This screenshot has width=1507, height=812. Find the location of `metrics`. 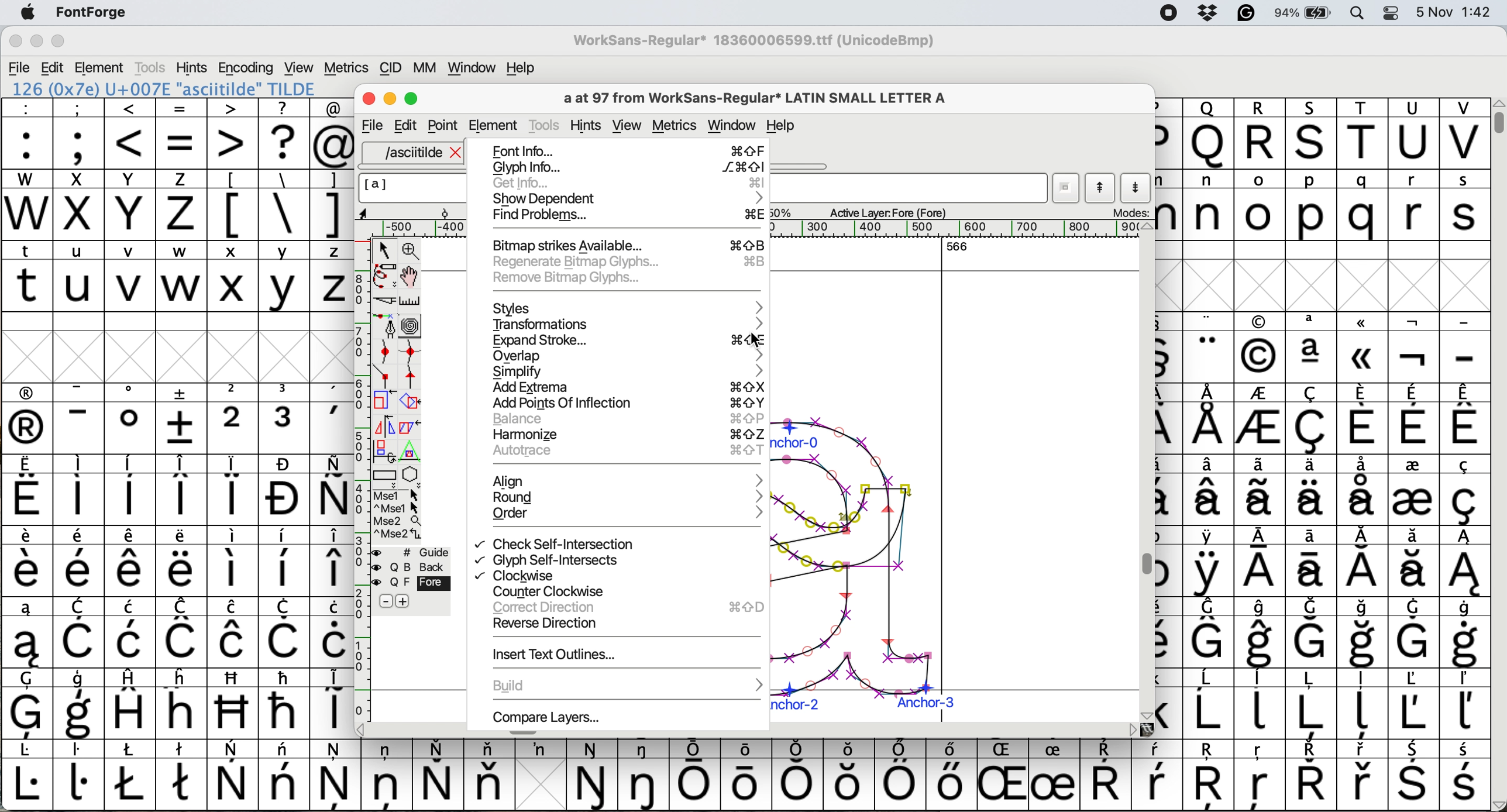

metrics is located at coordinates (679, 127).